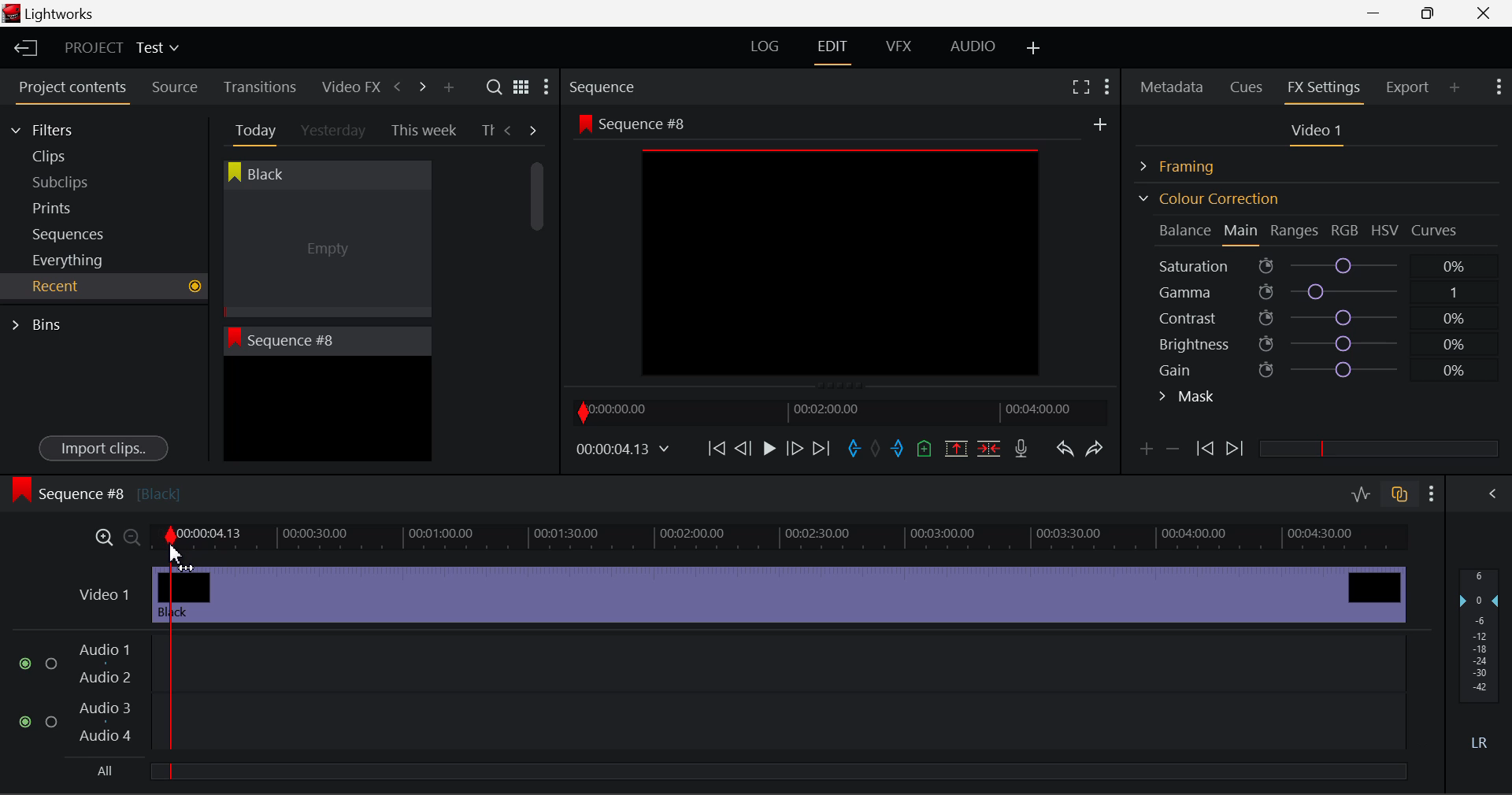 This screenshot has width=1512, height=795. Describe the element at coordinates (821, 449) in the screenshot. I see `To End` at that location.